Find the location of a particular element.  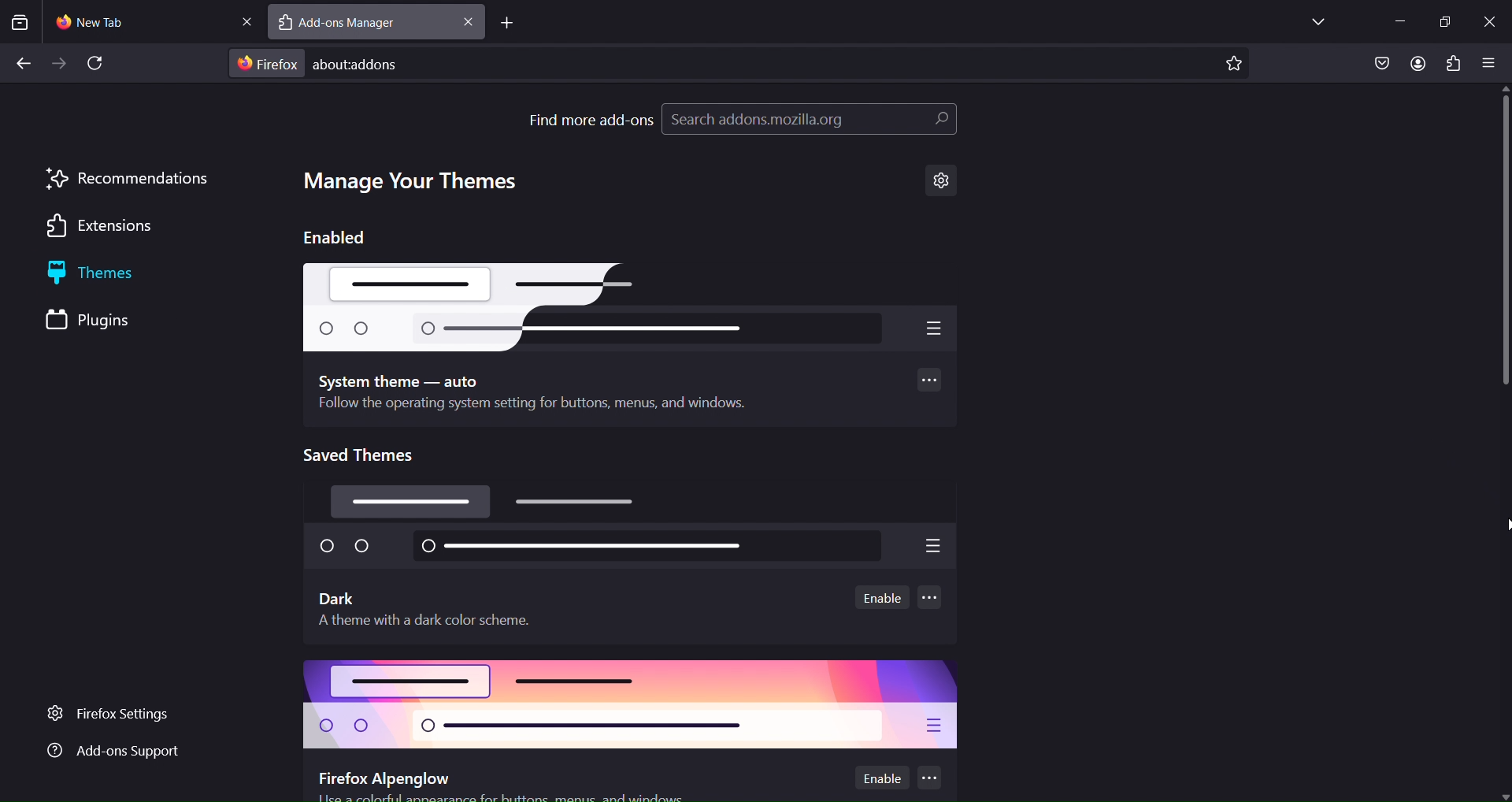

open application menu is located at coordinates (1489, 65).